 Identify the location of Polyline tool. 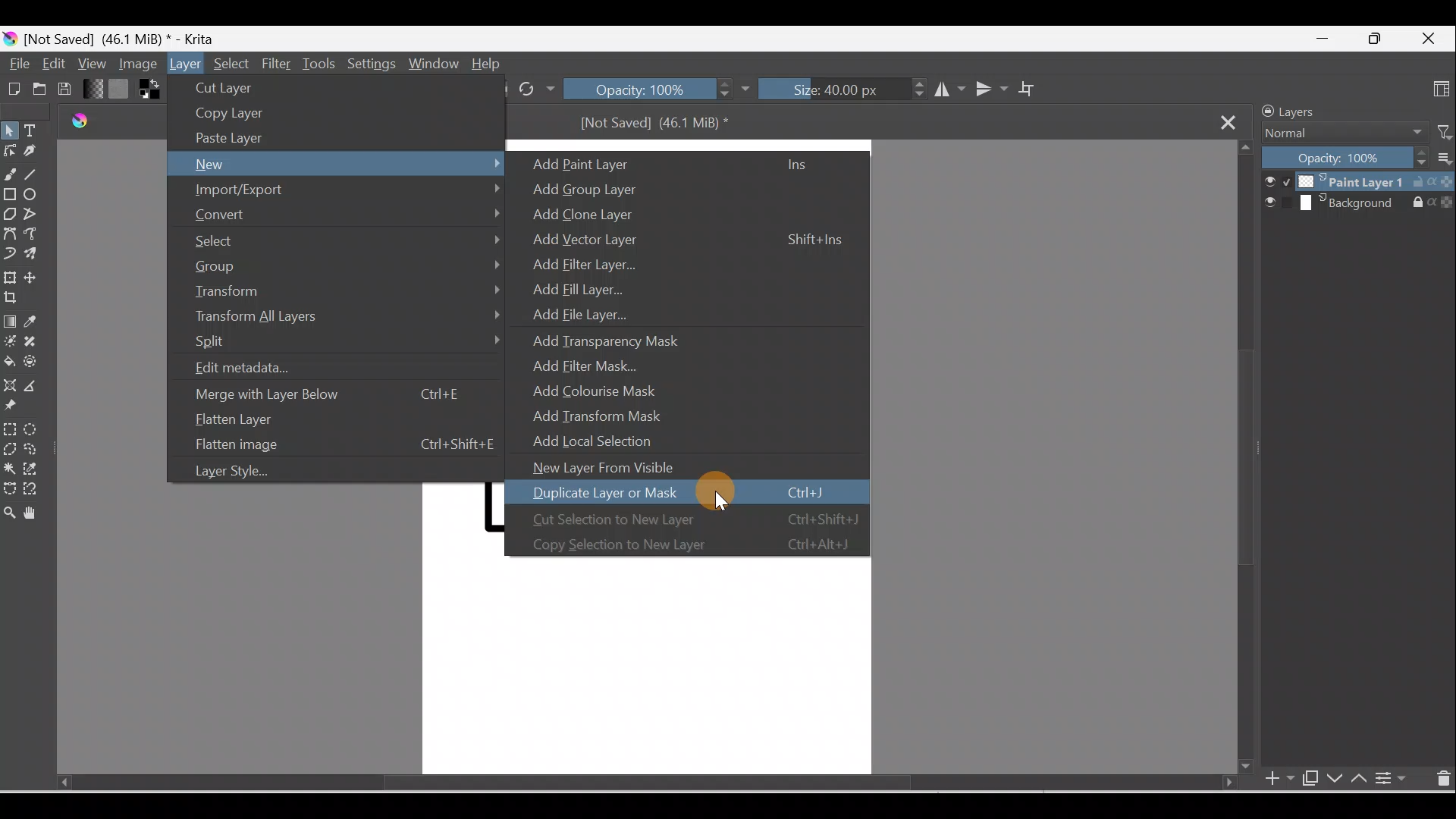
(37, 216).